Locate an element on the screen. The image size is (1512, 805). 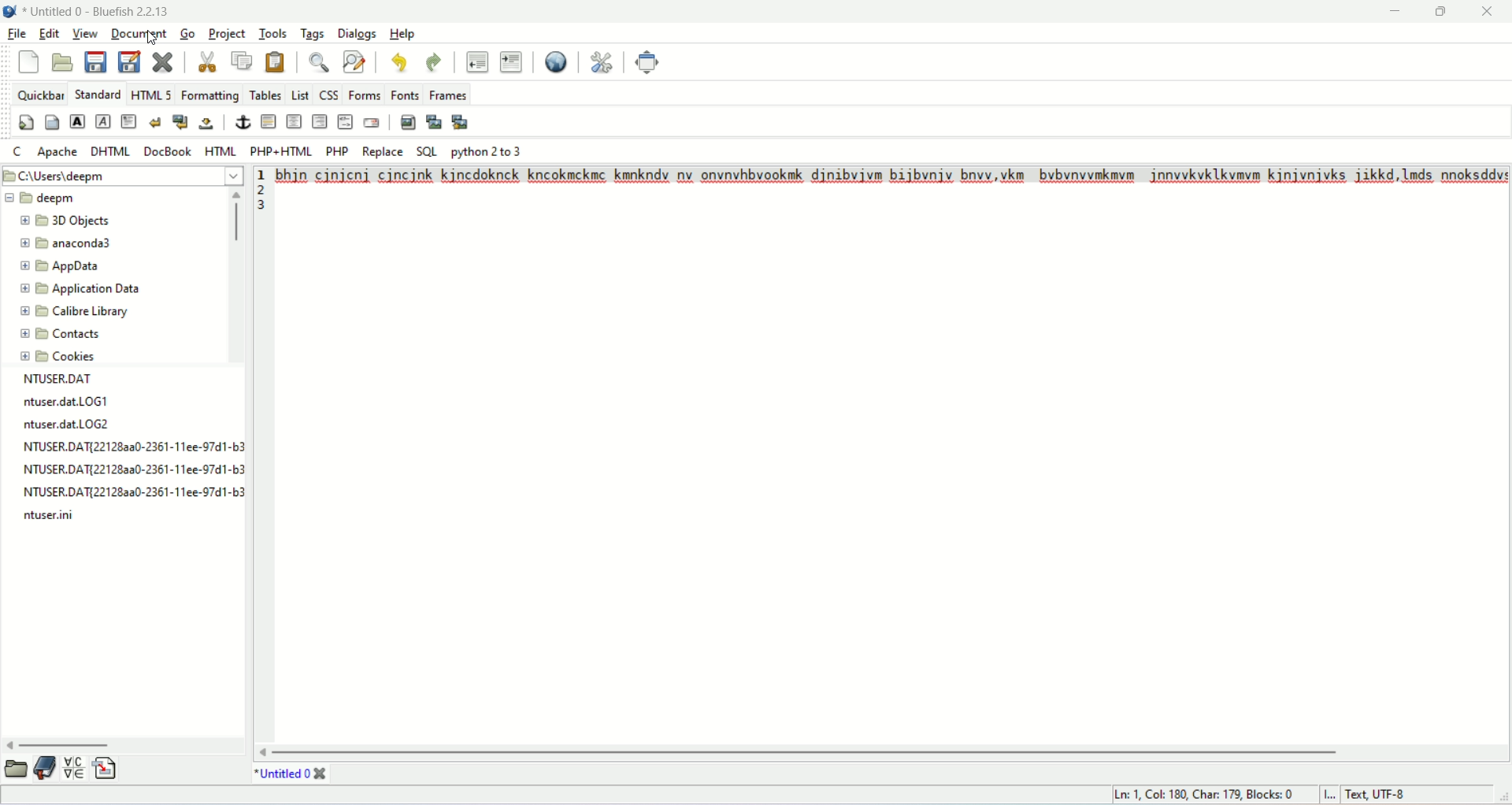
help is located at coordinates (406, 35).